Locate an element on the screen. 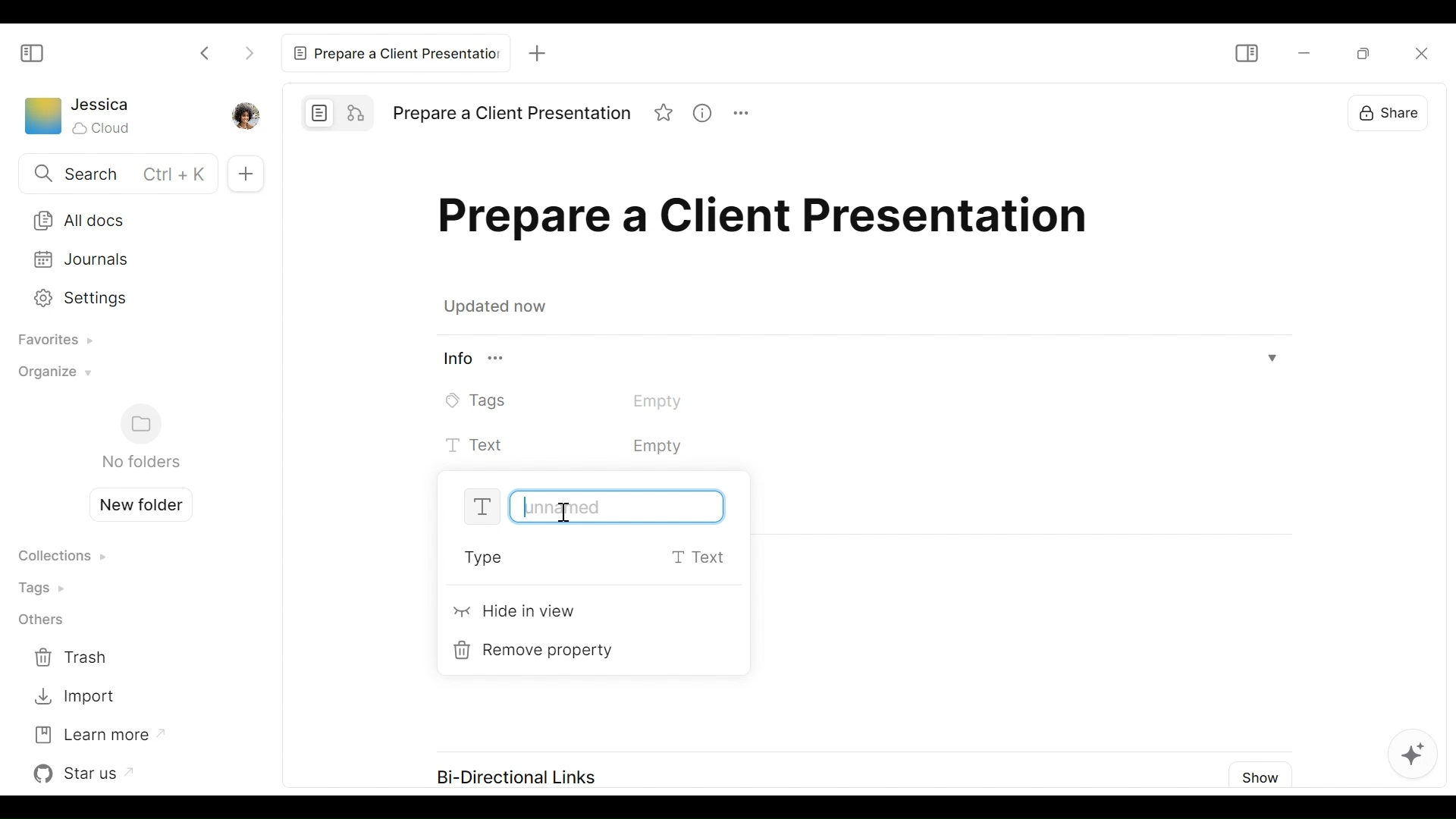 This screenshot has width=1456, height=819. Username is located at coordinates (102, 105).